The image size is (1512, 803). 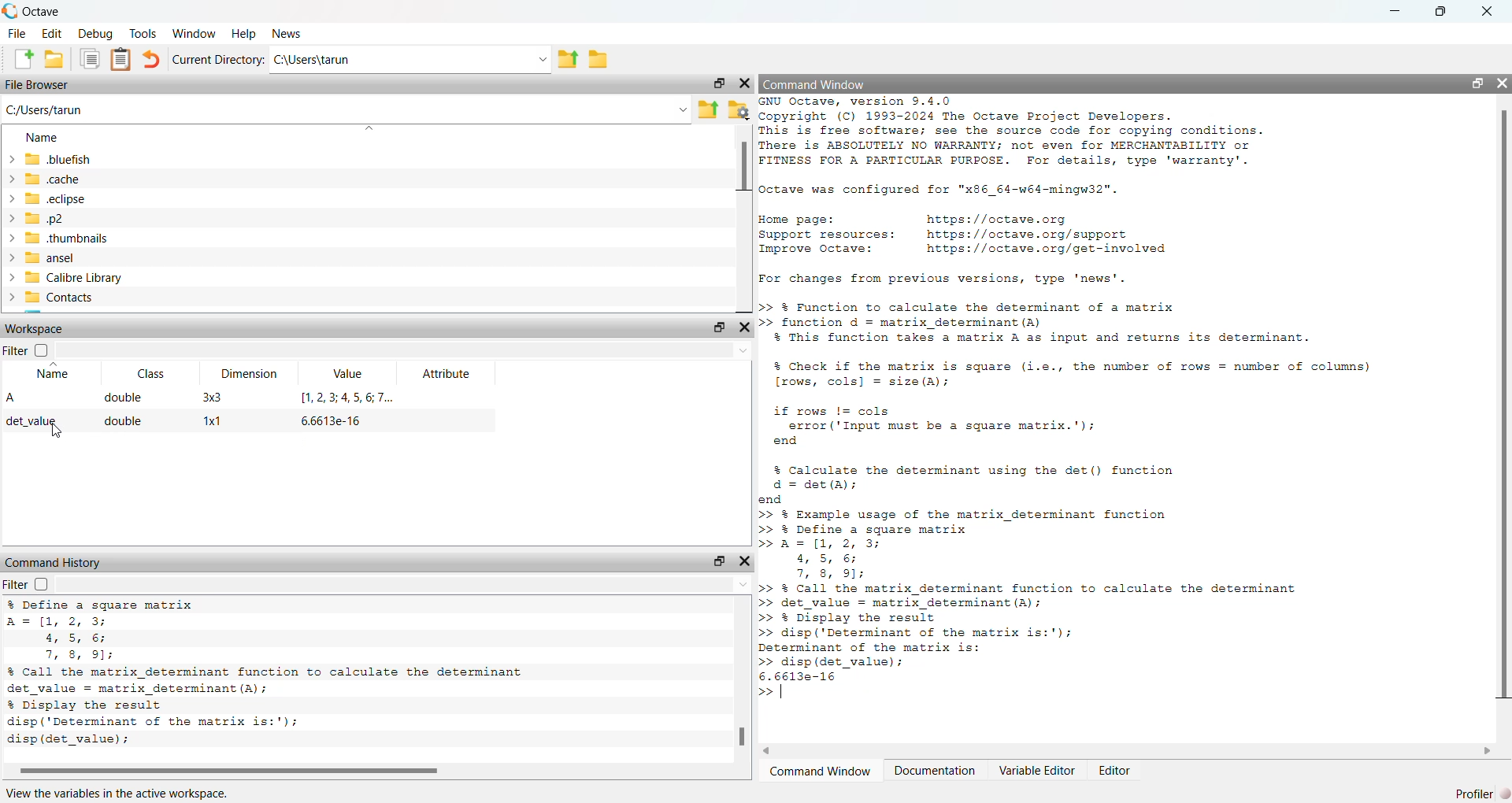 I want to click on scrollbar, so click(x=1503, y=409).